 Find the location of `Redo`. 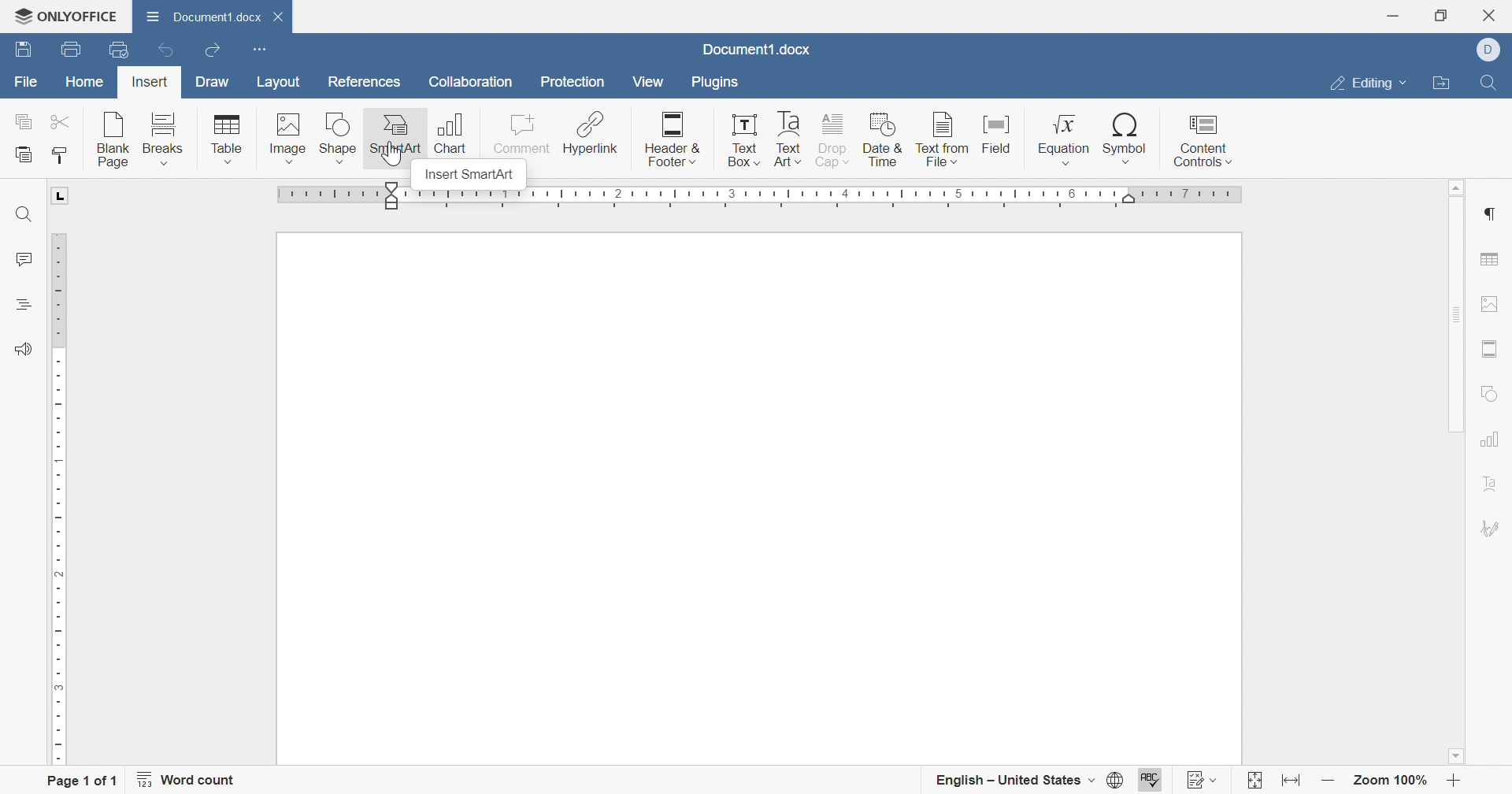

Redo is located at coordinates (213, 50).